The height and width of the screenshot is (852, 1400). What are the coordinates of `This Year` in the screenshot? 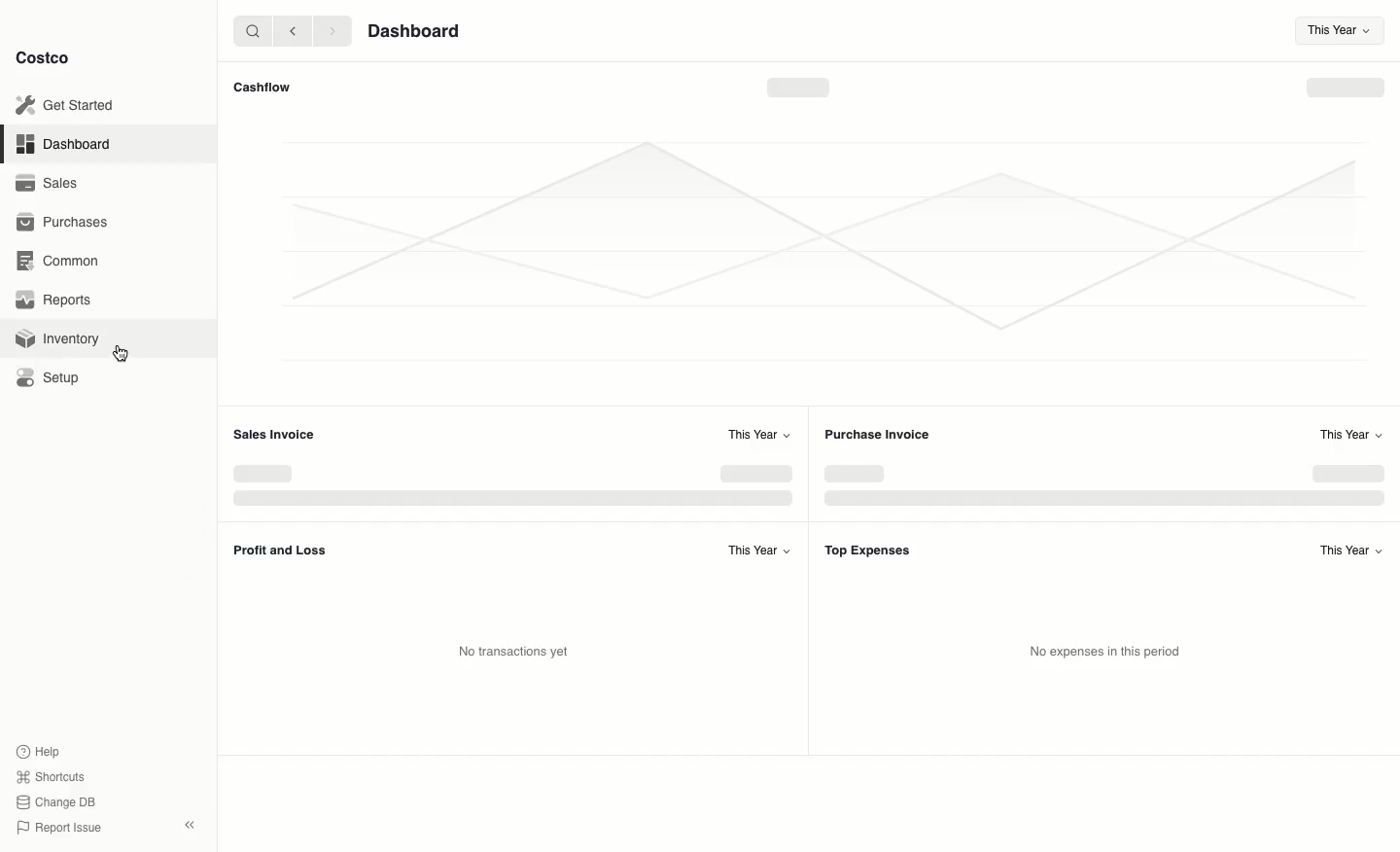 It's located at (1342, 29).